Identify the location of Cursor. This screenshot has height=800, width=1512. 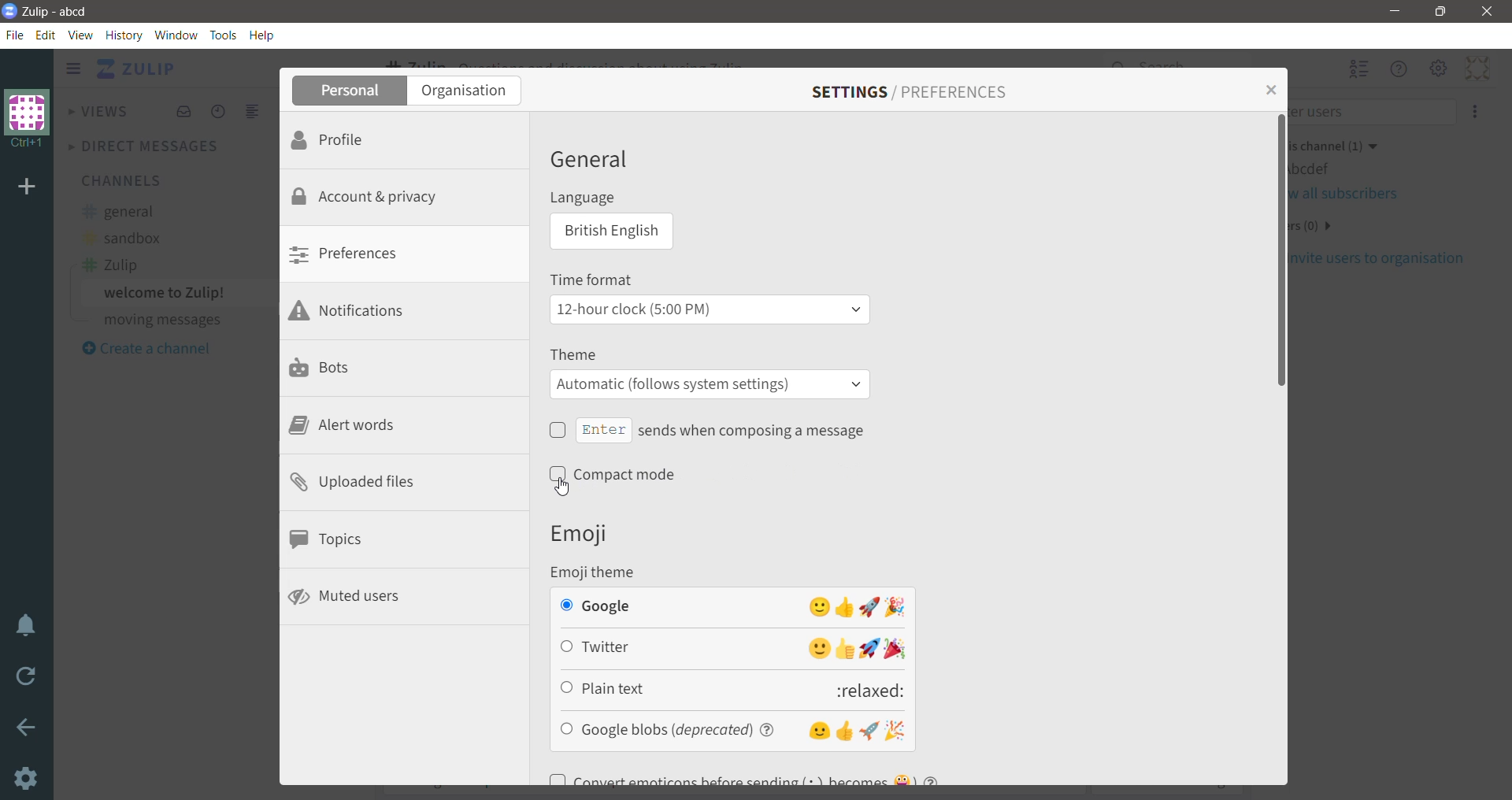
(569, 487).